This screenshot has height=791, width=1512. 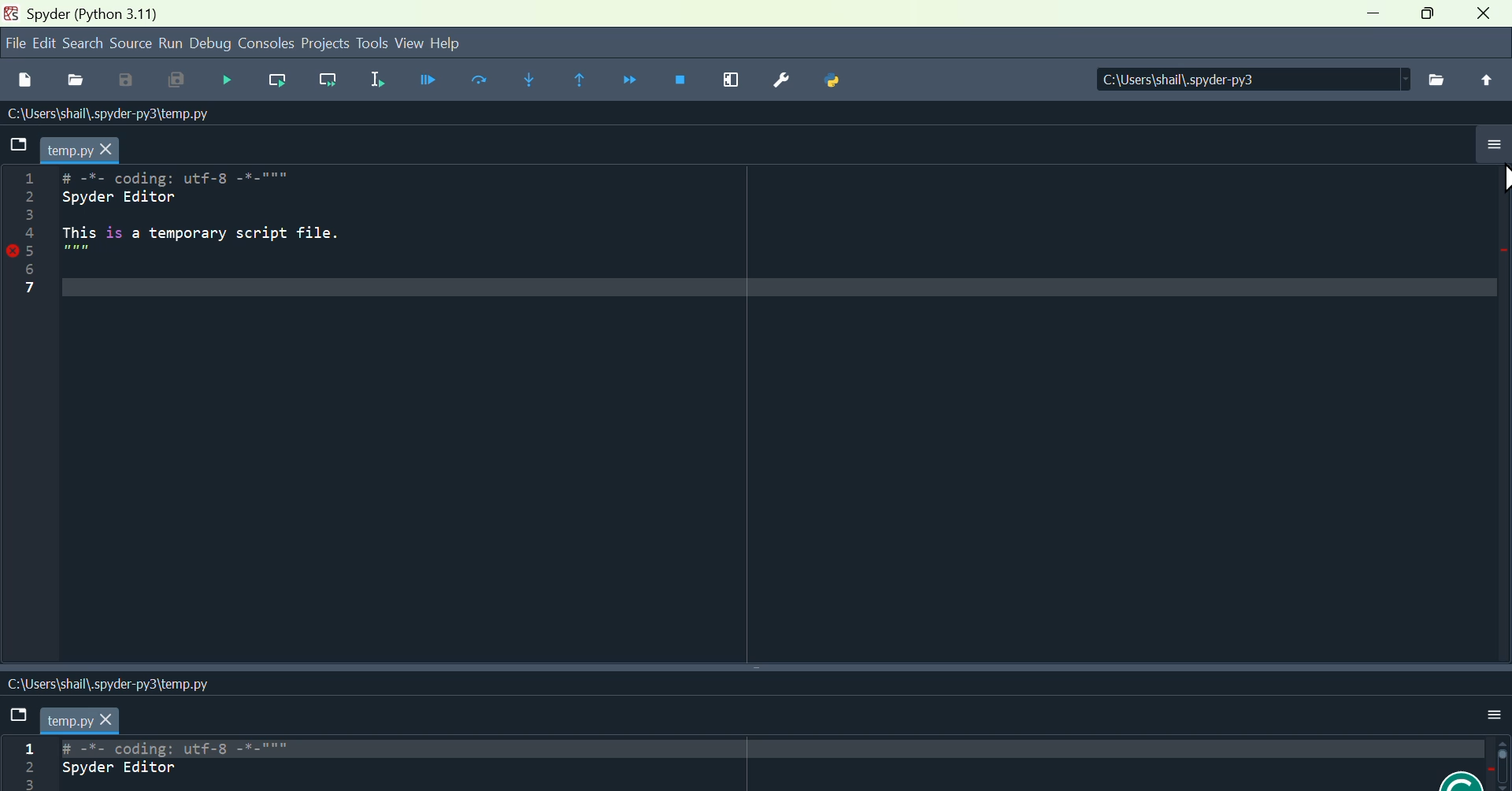 I want to click on Save all, so click(x=184, y=84).